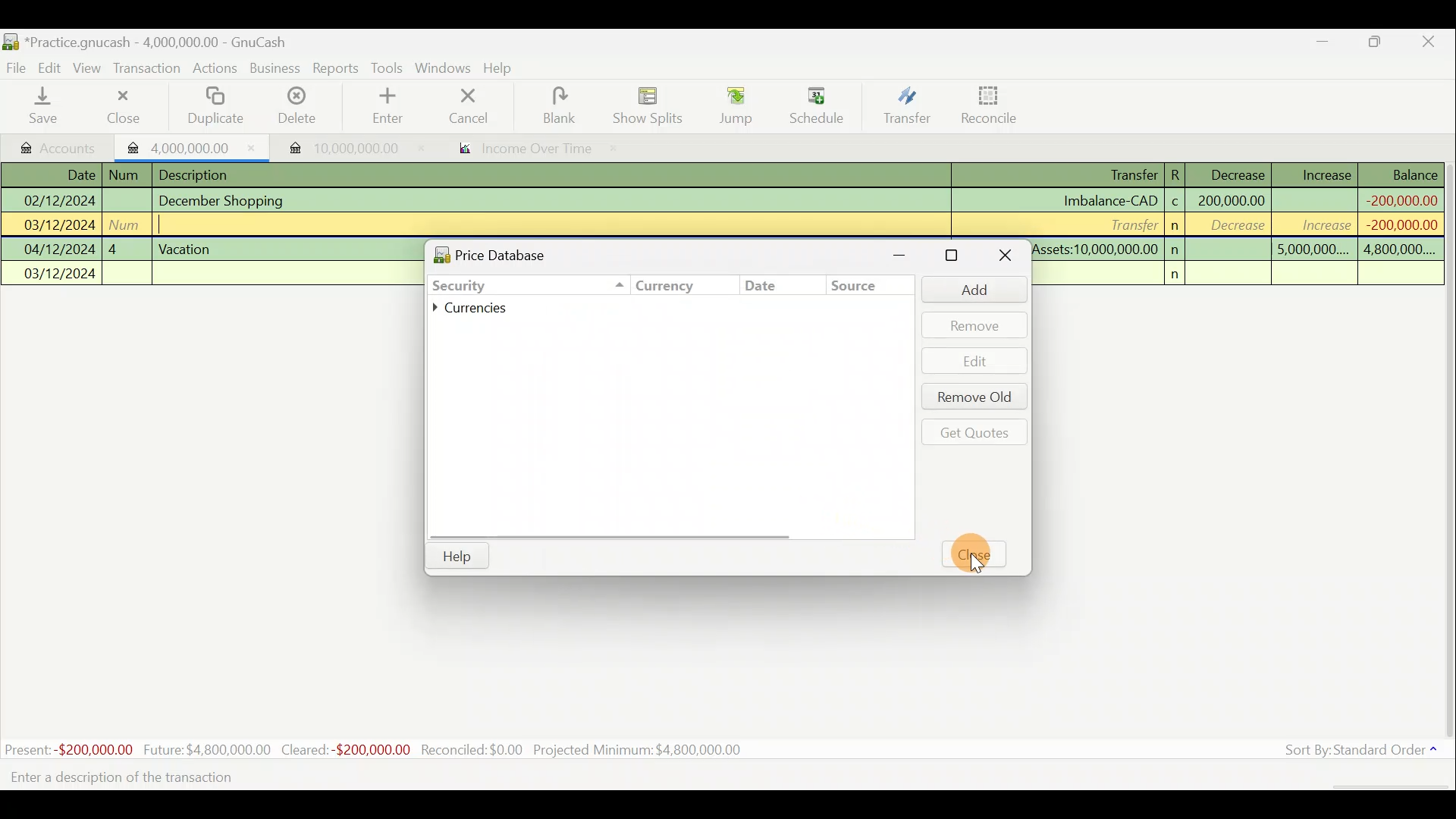 The height and width of the screenshot is (819, 1456). Describe the element at coordinates (228, 201) in the screenshot. I see `December Shopping` at that location.